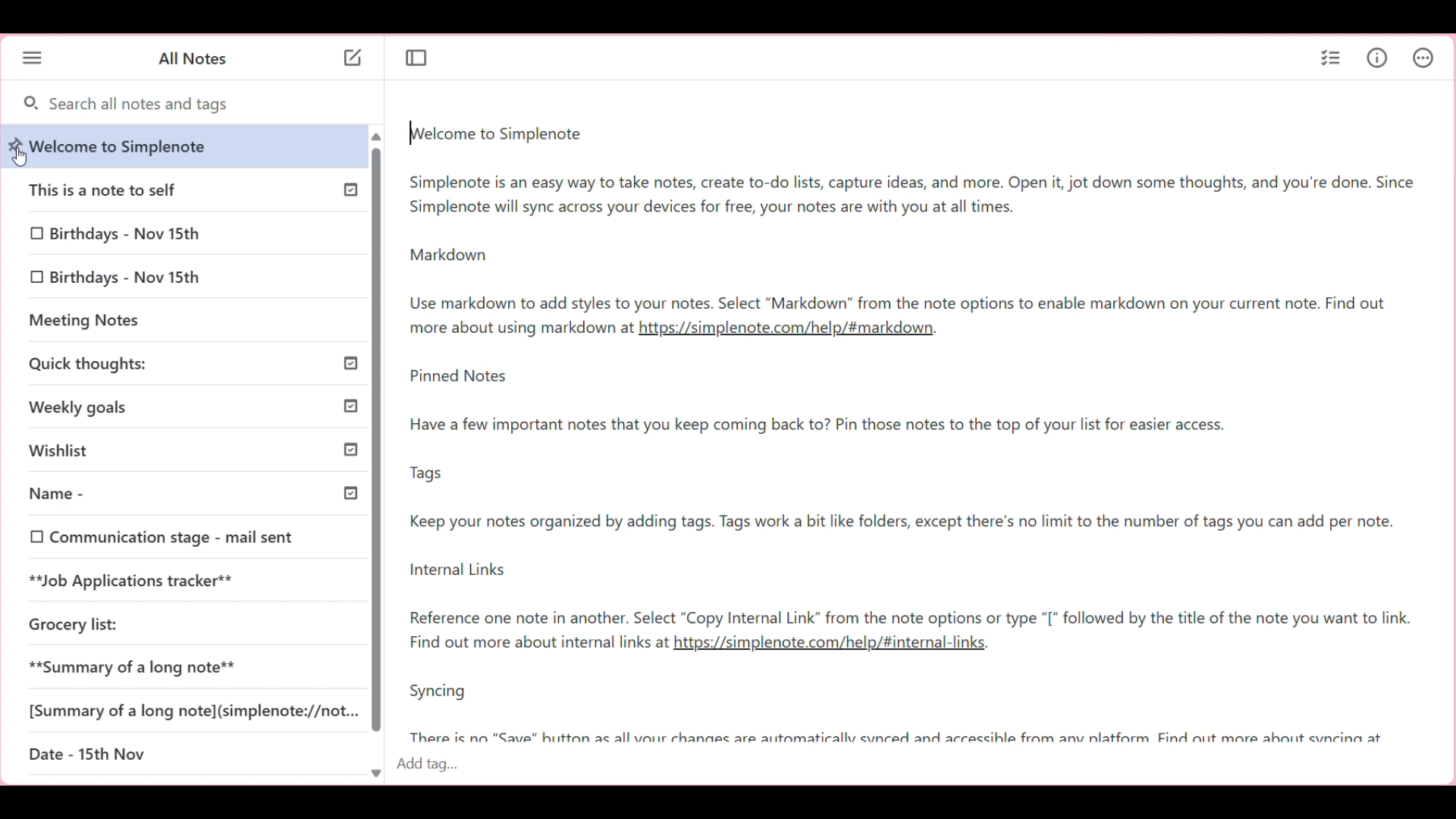 This screenshot has height=819, width=1456. Describe the element at coordinates (189, 105) in the screenshot. I see `Search all notes and tags` at that location.